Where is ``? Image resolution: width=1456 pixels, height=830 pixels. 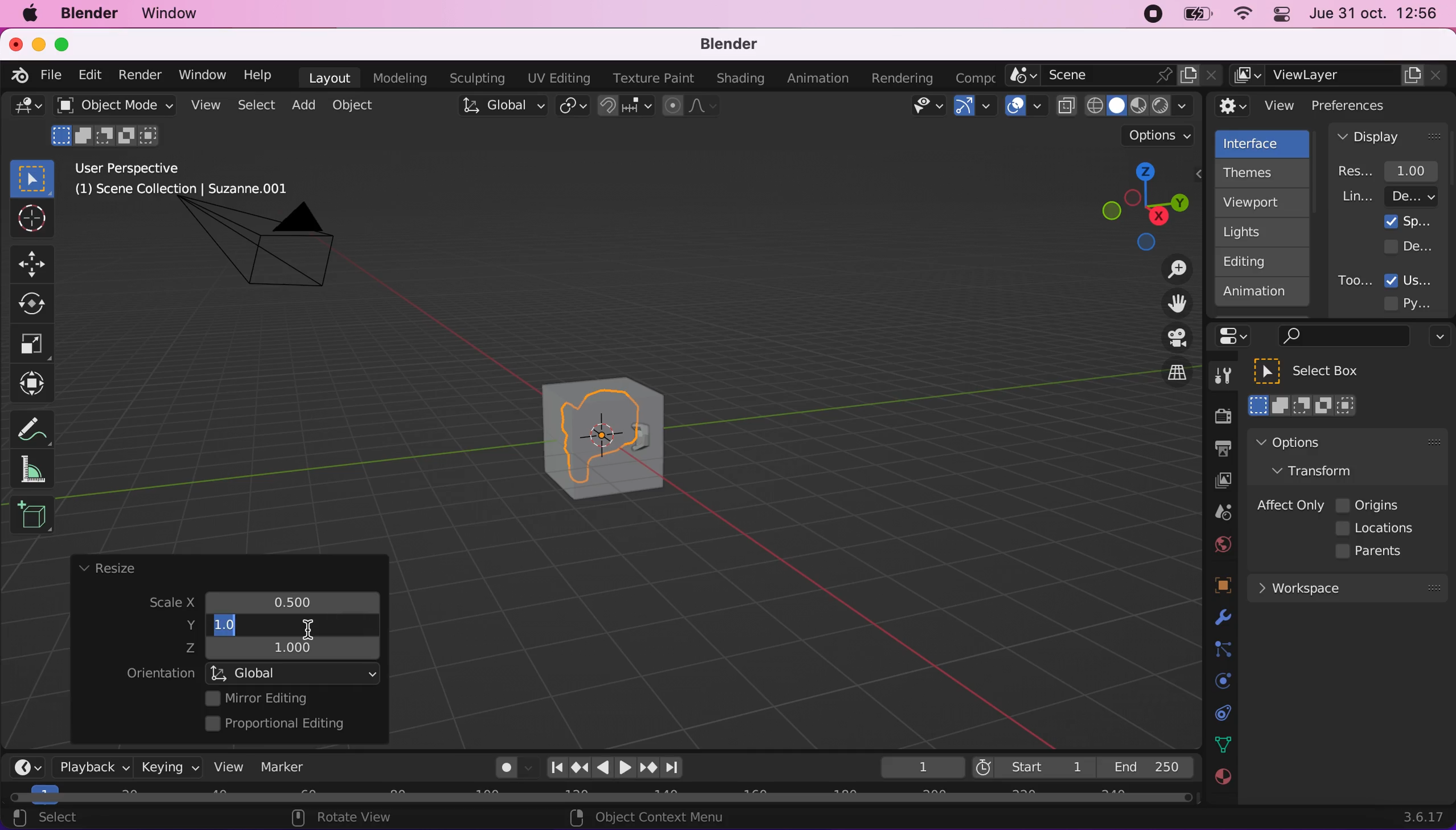
 is located at coordinates (30, 219).